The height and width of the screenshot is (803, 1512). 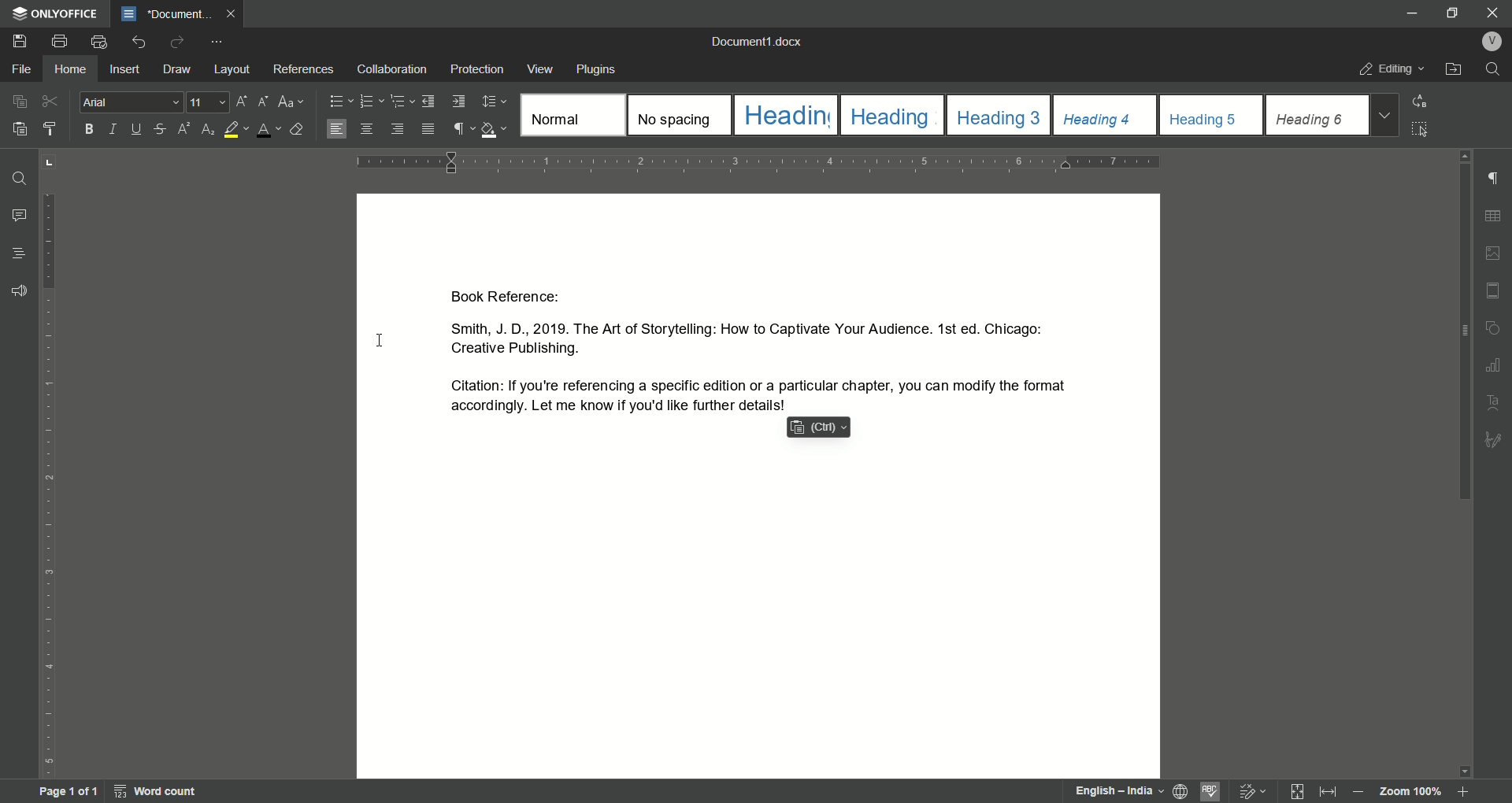 What do you see at coordinates (126, 68) in the screenshot?
I see `insert` at bounding box center [126, 68].